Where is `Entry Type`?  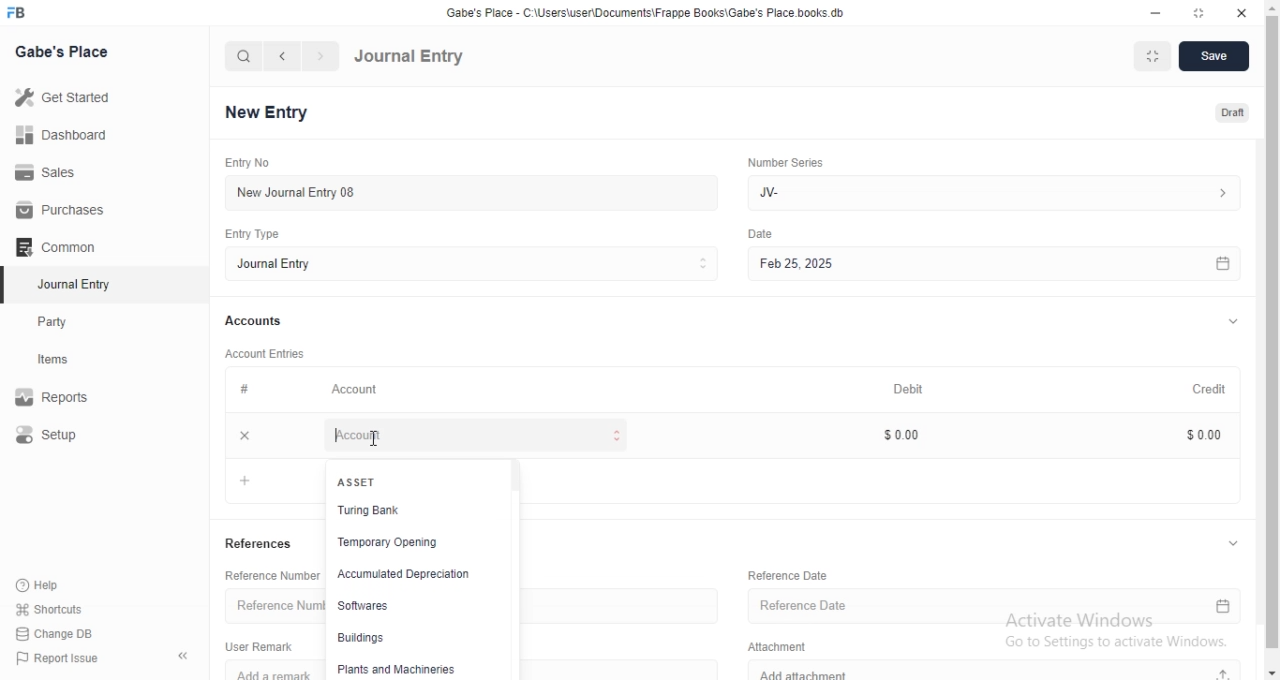 Entry Type is located at coordinates (250, 234).